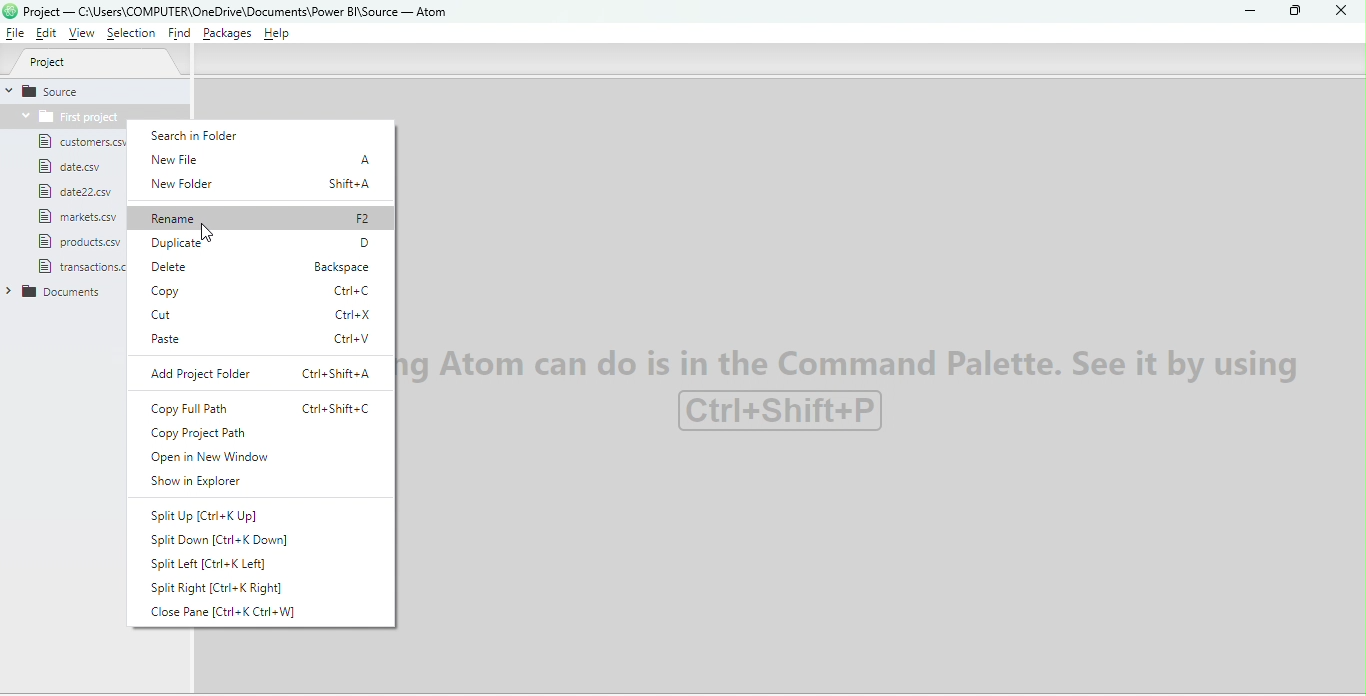 This screenshot has height=696, width=1366. I want to click on Maximize, so click(1291, 12).